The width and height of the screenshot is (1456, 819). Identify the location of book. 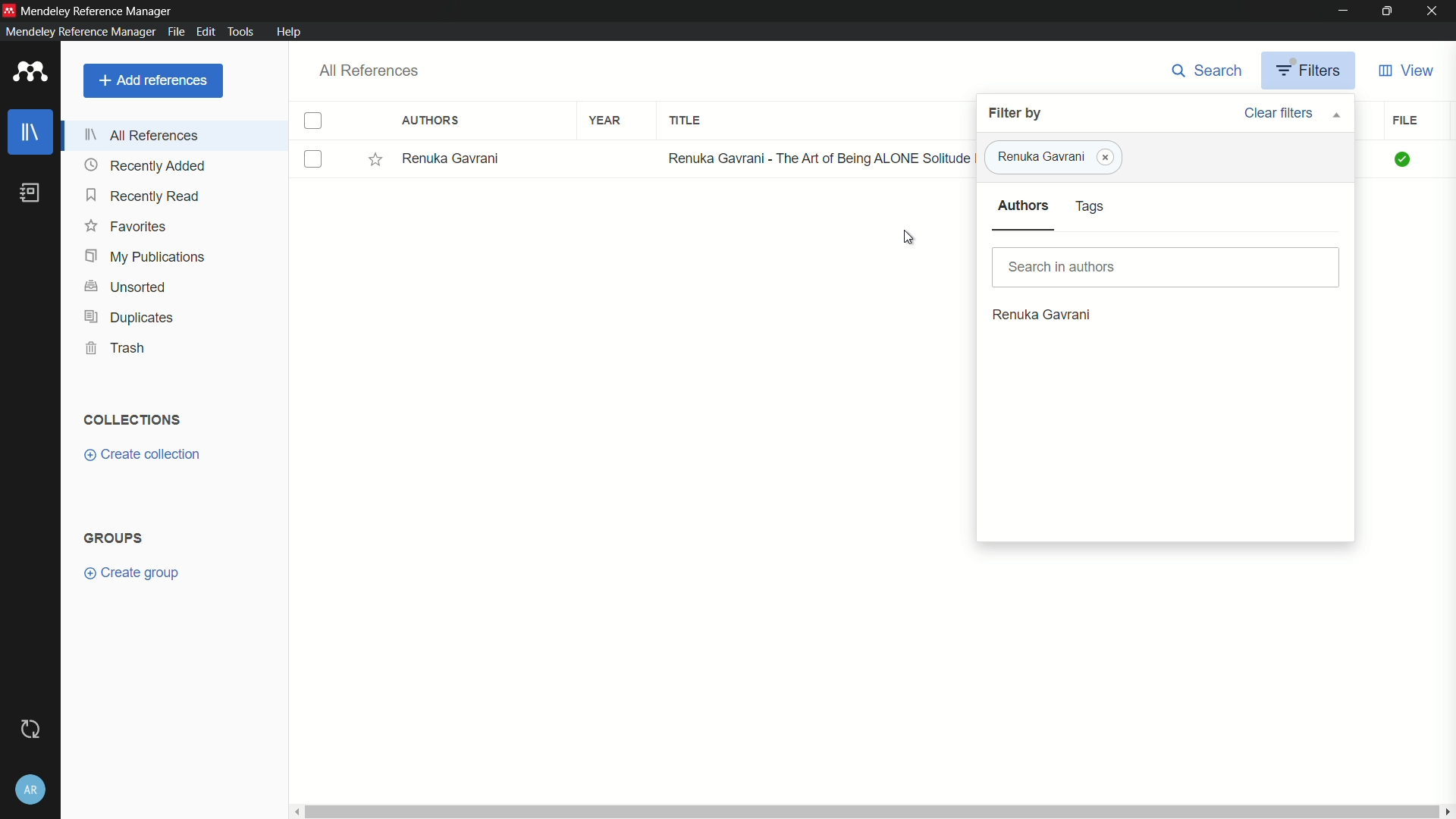
(30, 192).